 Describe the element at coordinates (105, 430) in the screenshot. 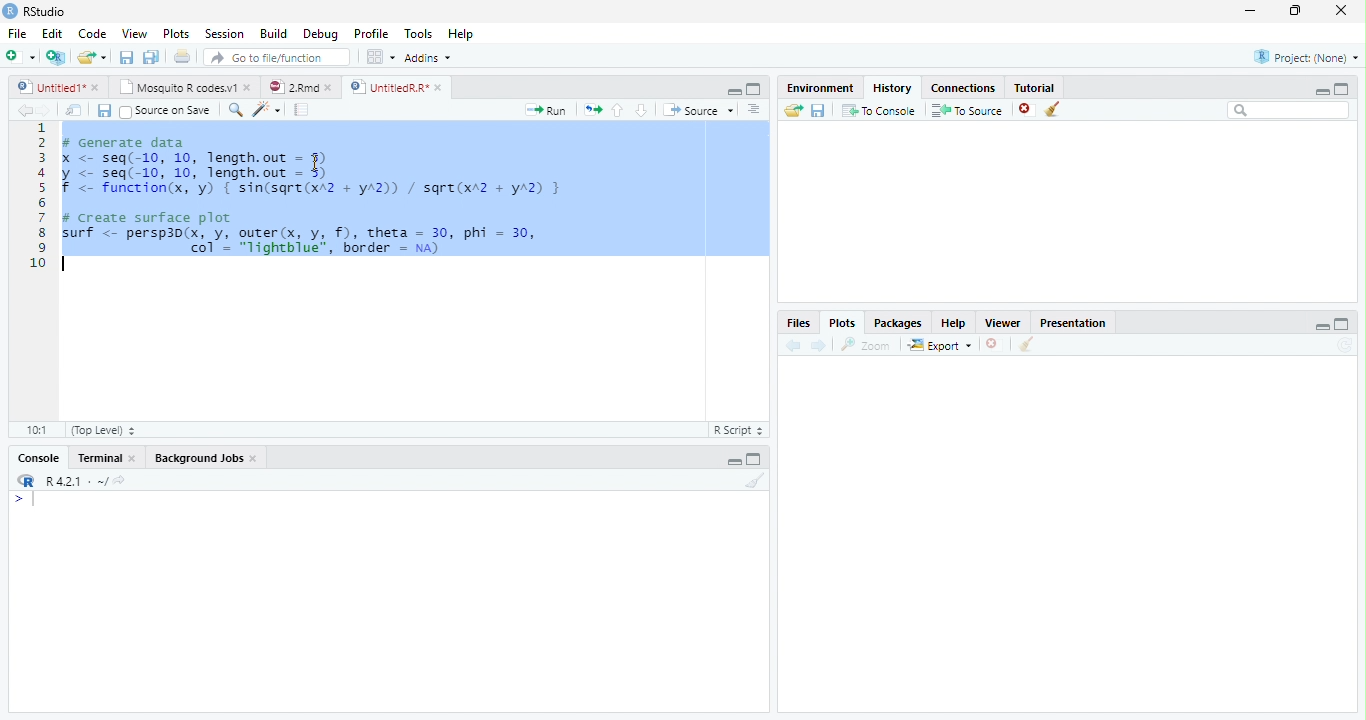

I see `(Top Level)` at that location.